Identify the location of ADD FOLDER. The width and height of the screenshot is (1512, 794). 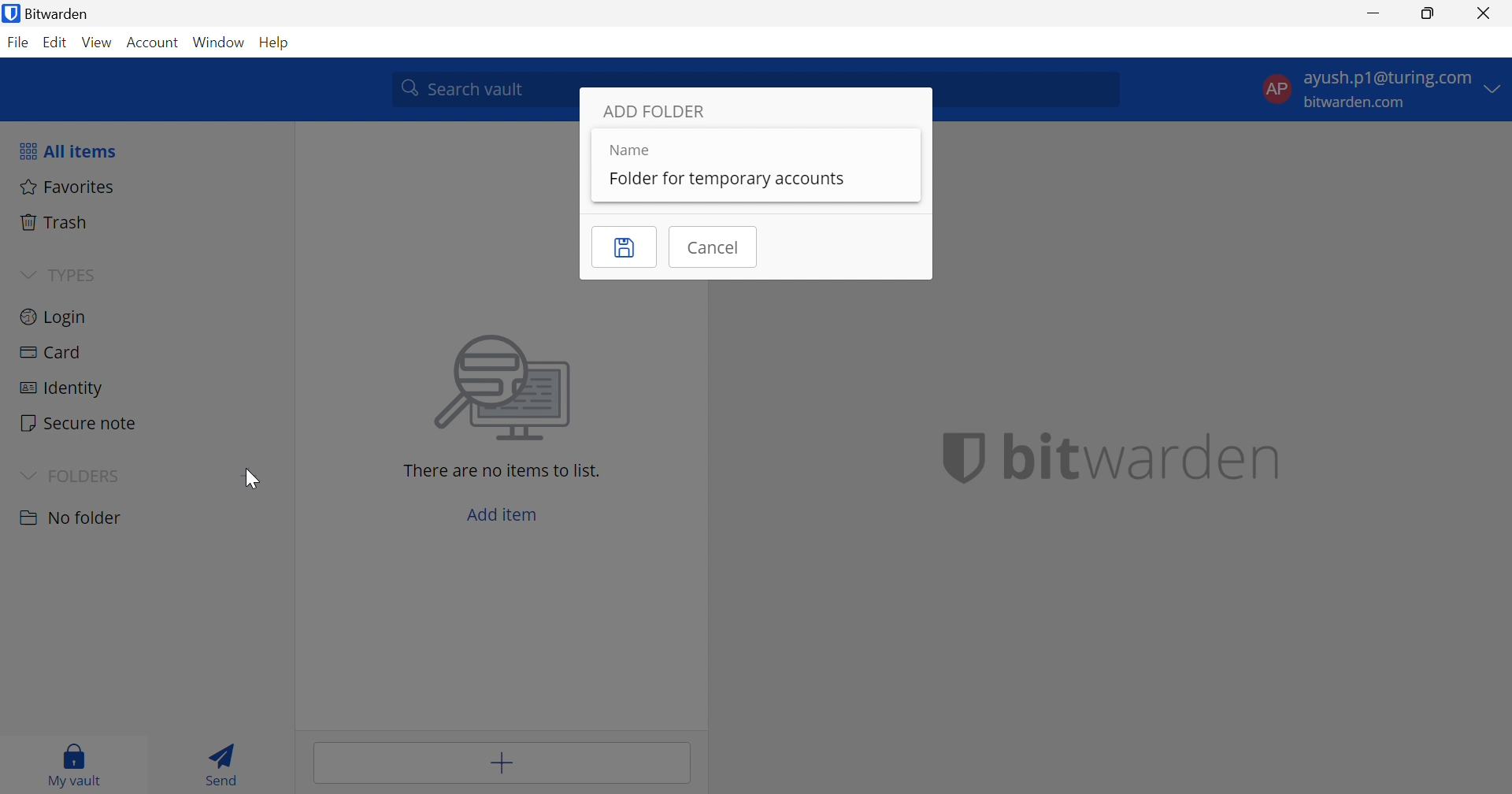
(655, 111).